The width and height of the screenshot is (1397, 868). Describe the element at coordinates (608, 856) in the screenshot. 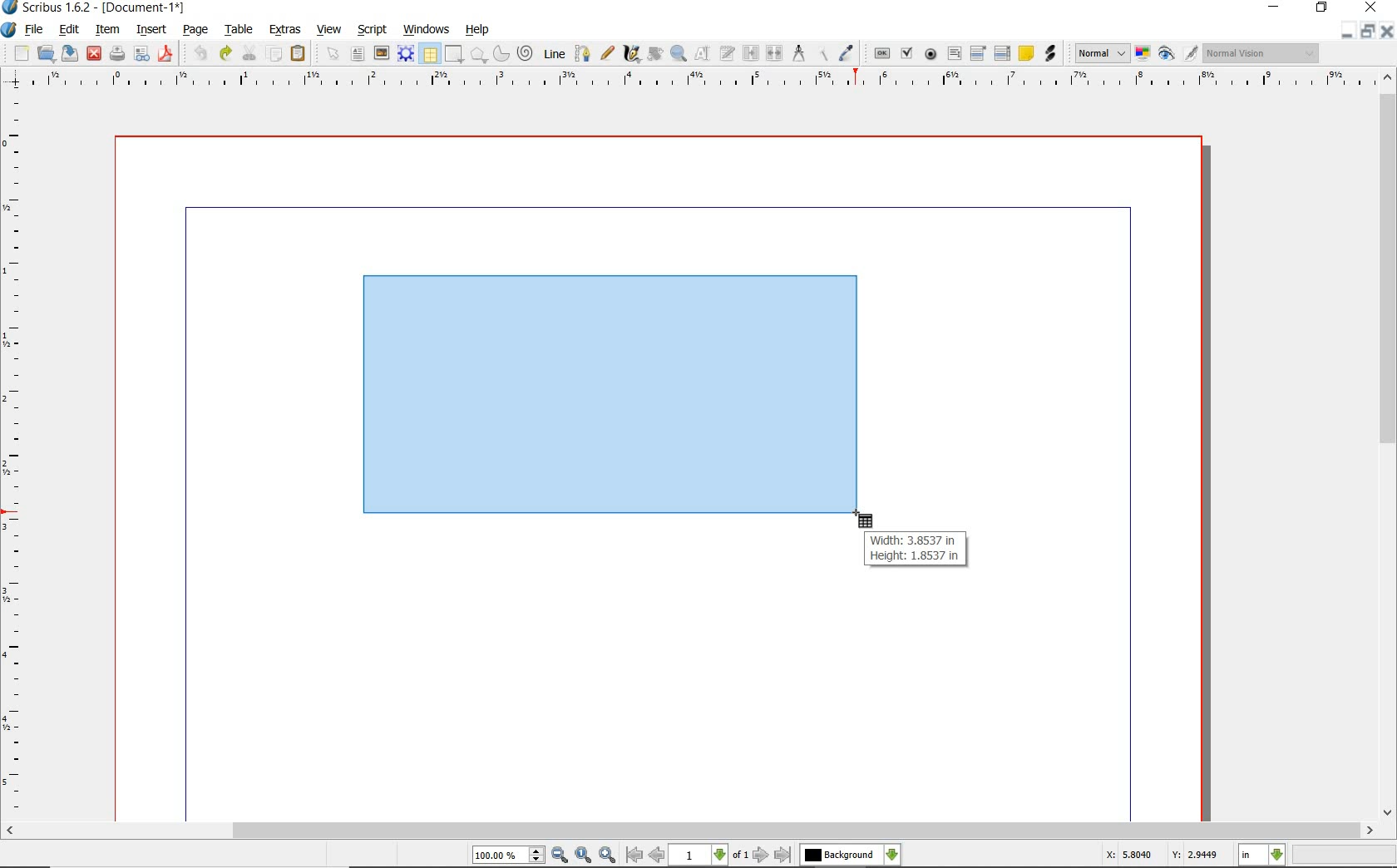

I see `zoom in` at that location.